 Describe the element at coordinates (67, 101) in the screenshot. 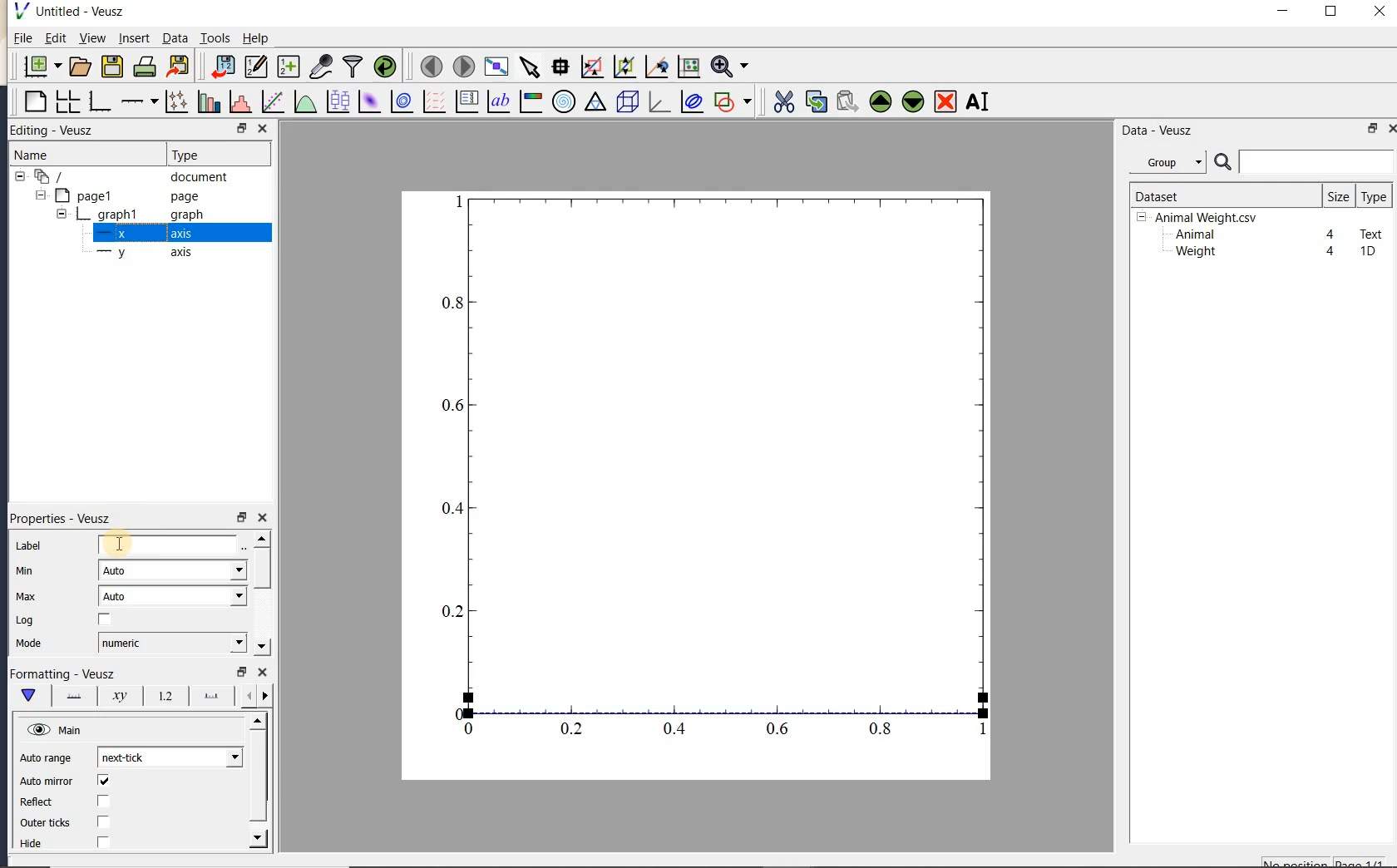

I see `arrange graphs in a grid` at that location.